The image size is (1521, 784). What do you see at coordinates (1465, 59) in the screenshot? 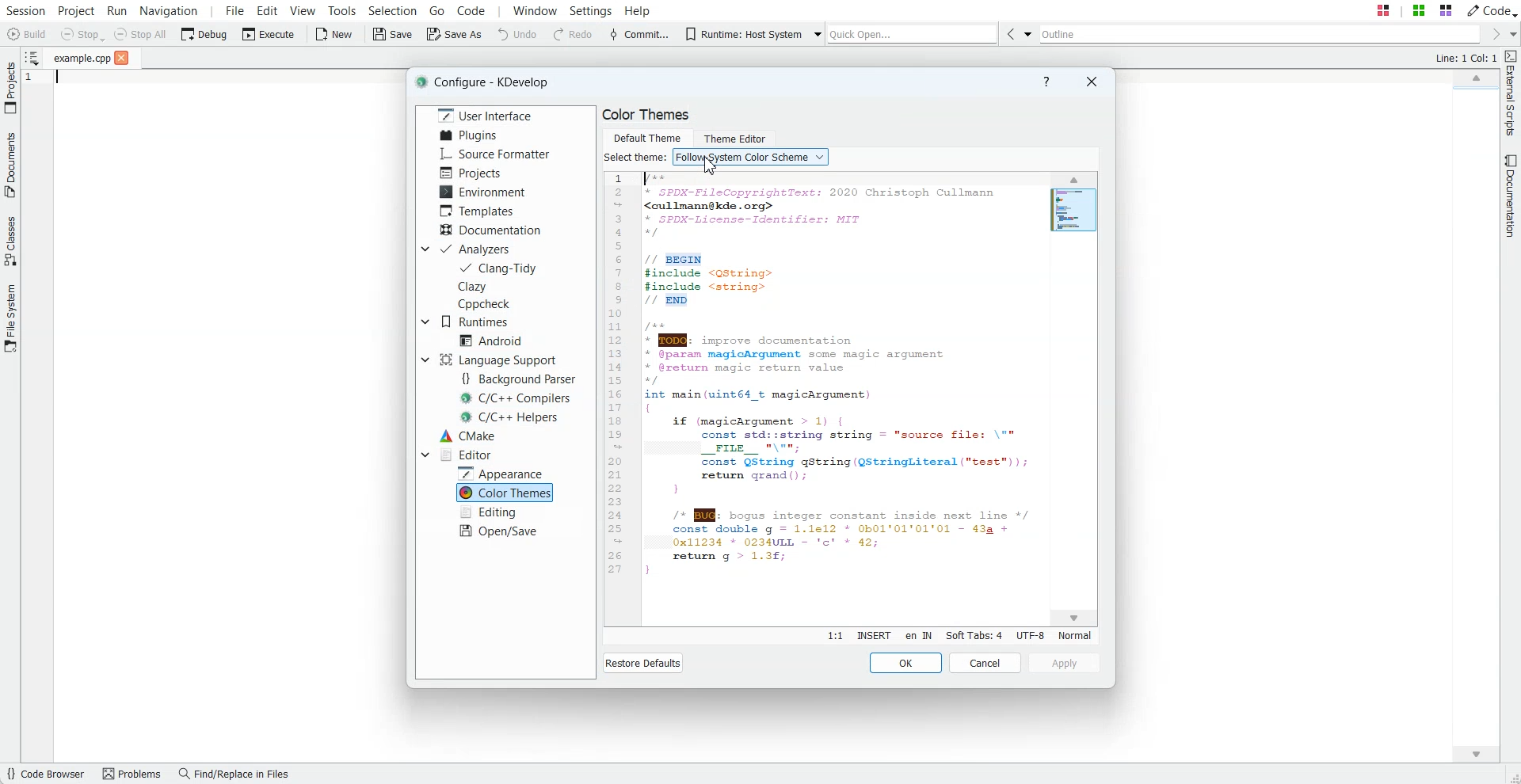
I see `Text` at bounding box center [1465, 59].